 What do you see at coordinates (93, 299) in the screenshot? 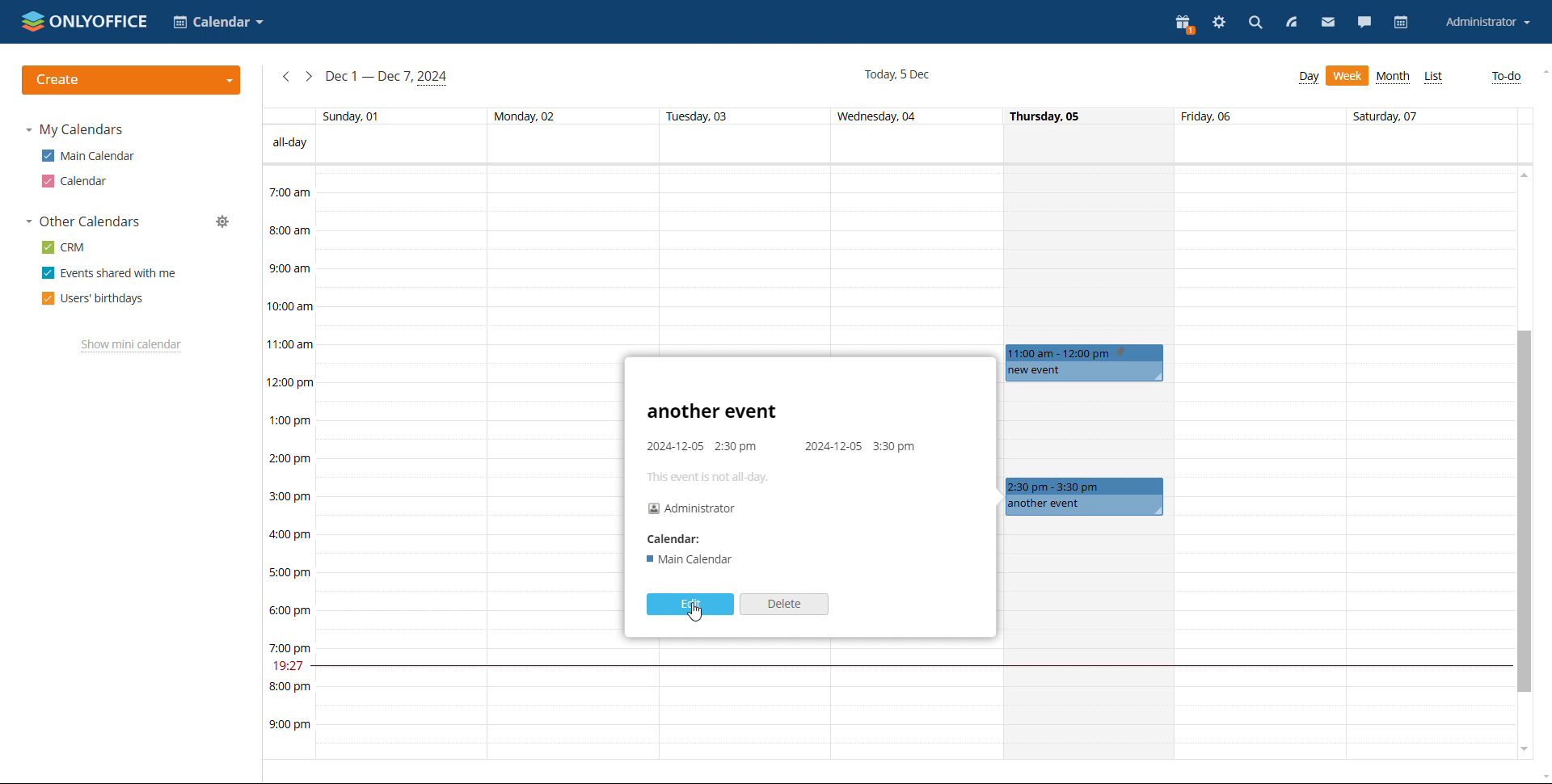
I see `users' birthdays` at bounding box center [93, 299].